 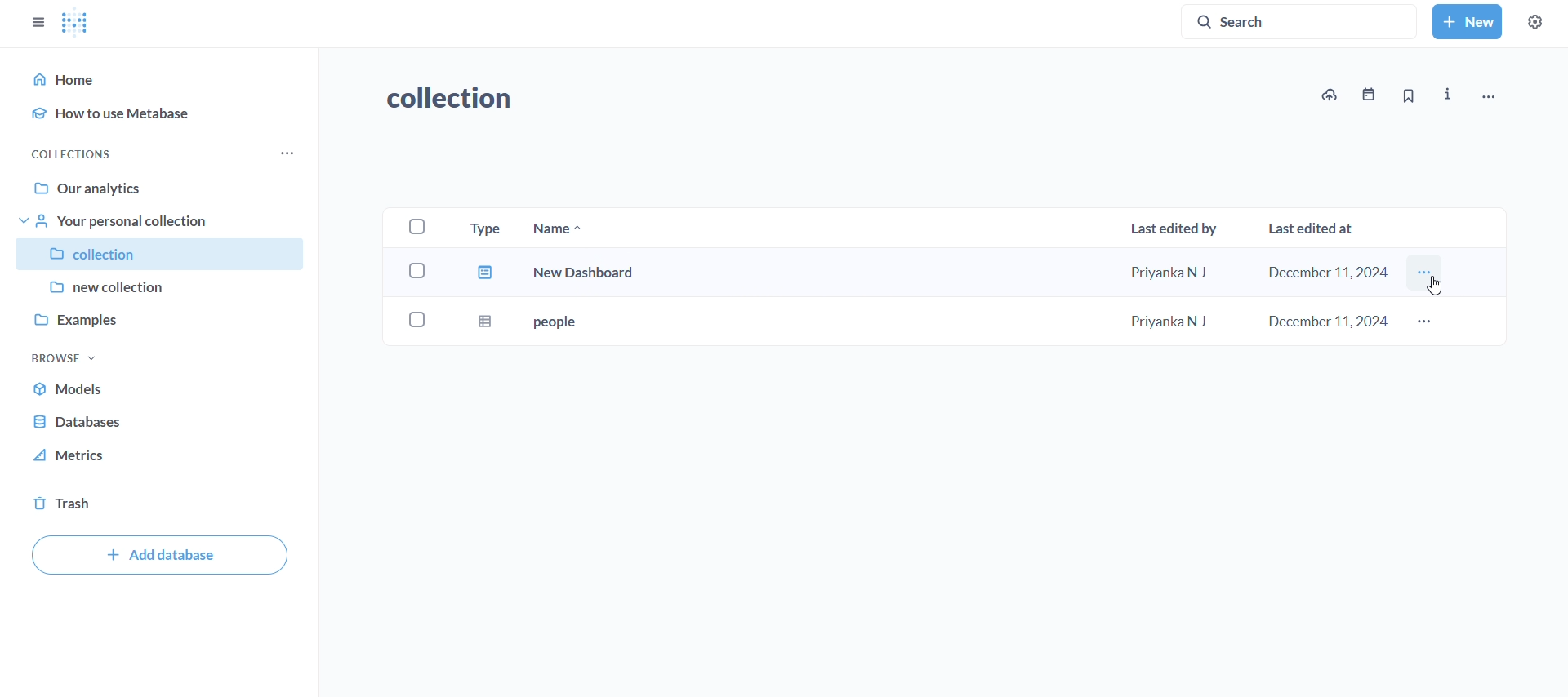 What do you see at coordinates (167, 114) in the screenshot?
I see `how to use metabase` at bounding box center [167, 114].